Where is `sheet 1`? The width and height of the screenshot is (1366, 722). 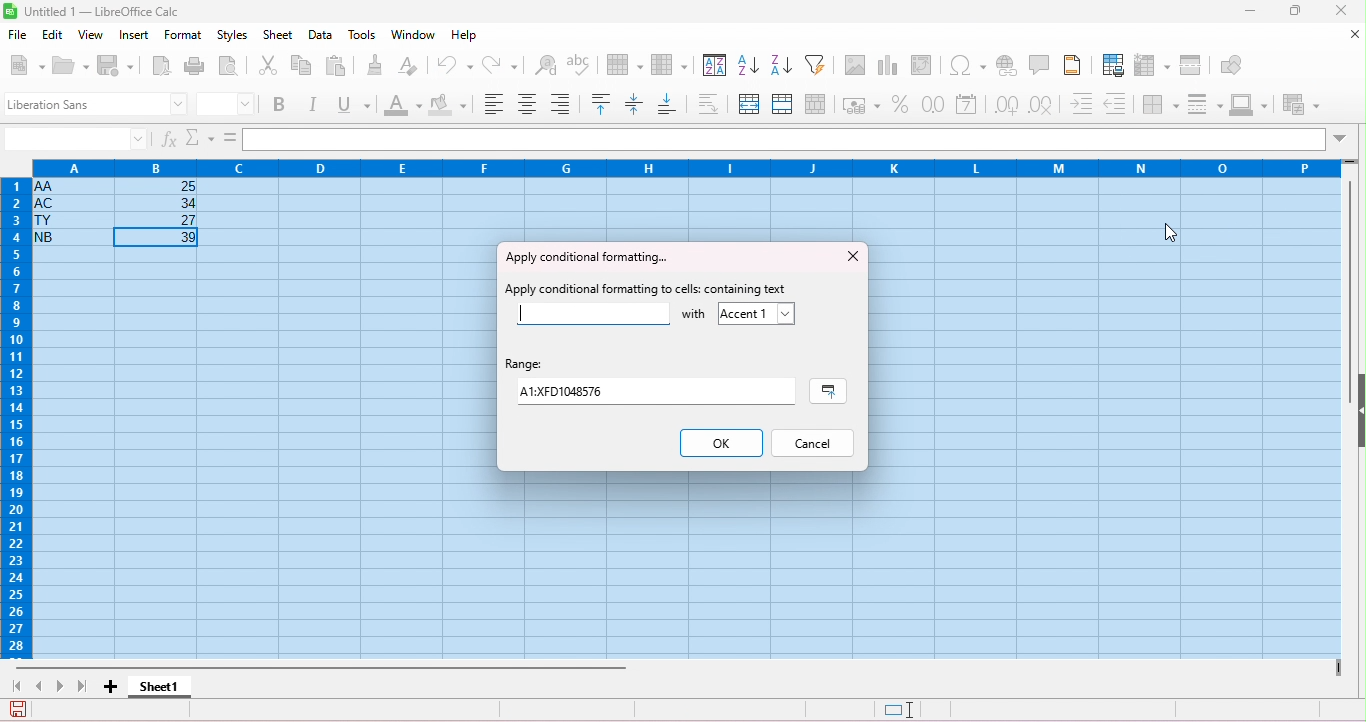 sheet 1 is located at coordinates (163, 689).